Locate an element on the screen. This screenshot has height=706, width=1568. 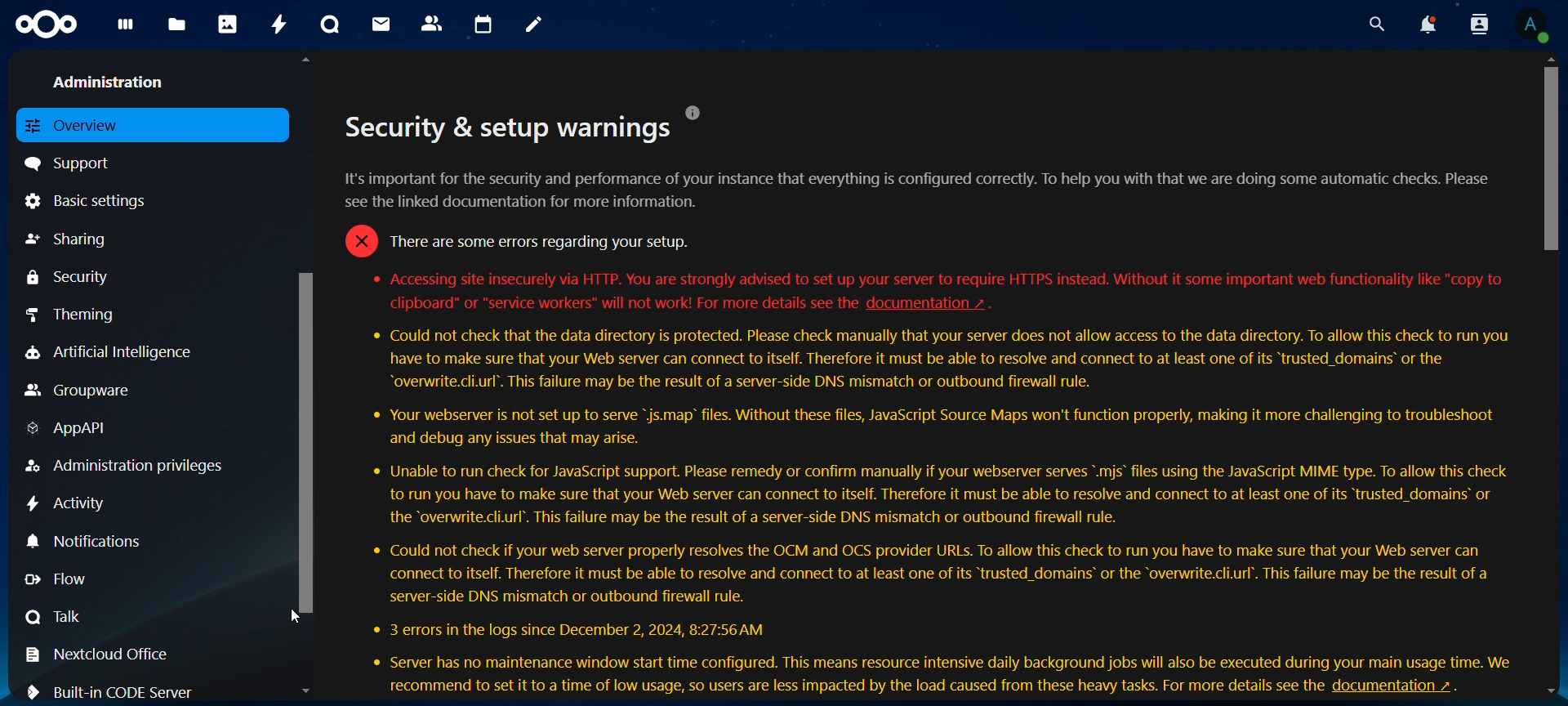
notes is located at coordinates (537, 25).